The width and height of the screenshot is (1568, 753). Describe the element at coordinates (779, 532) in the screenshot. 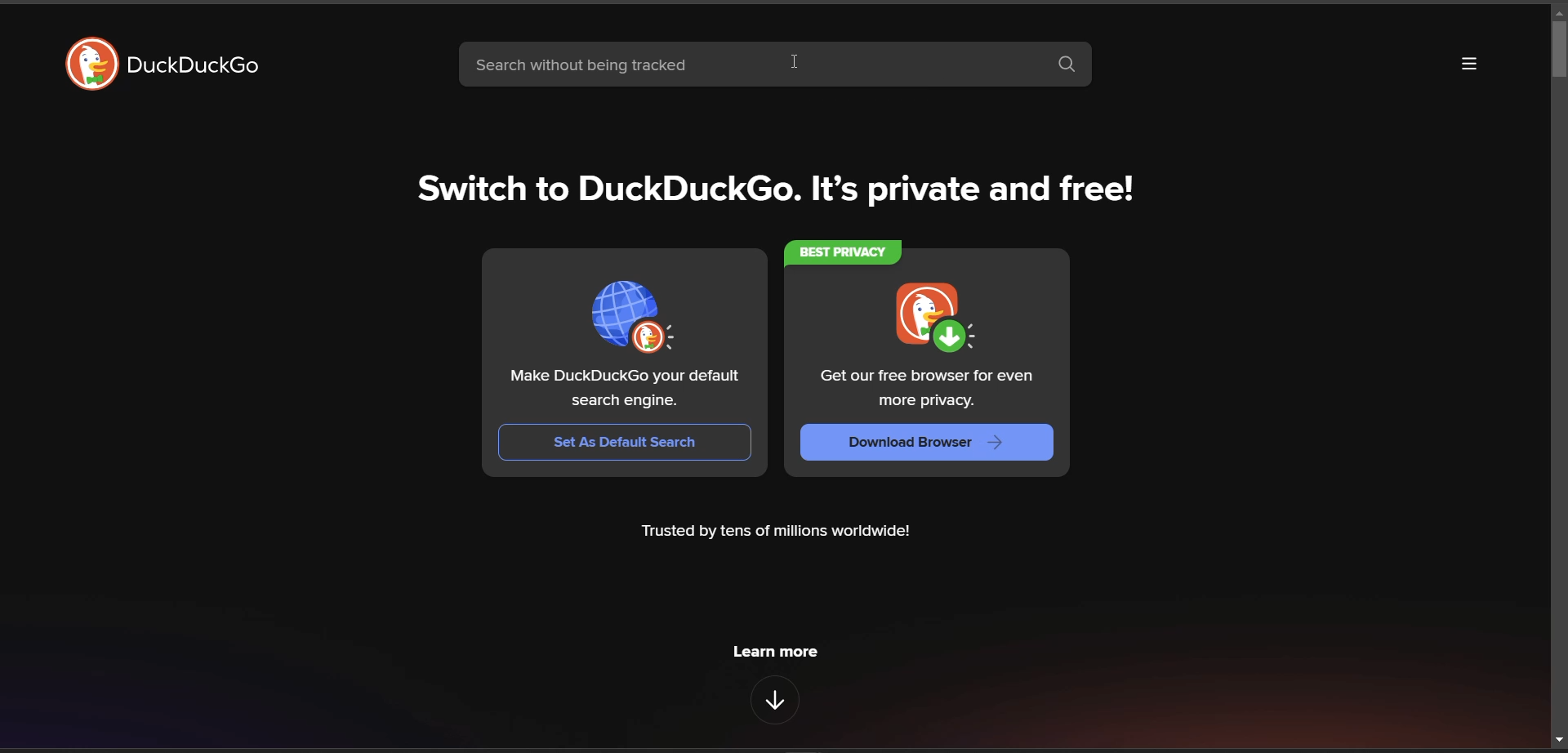

I see `metadata` at that location.